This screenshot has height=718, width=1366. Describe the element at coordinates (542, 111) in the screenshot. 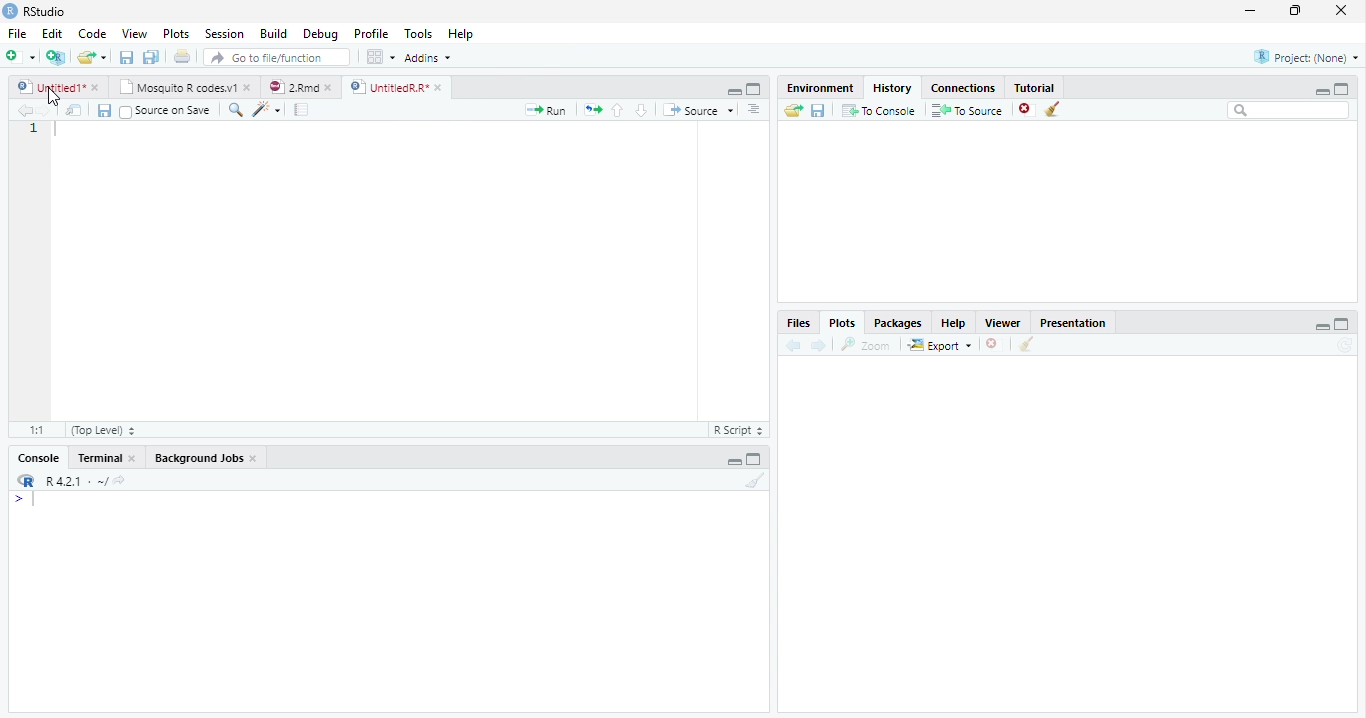

I see `Run` at that location.